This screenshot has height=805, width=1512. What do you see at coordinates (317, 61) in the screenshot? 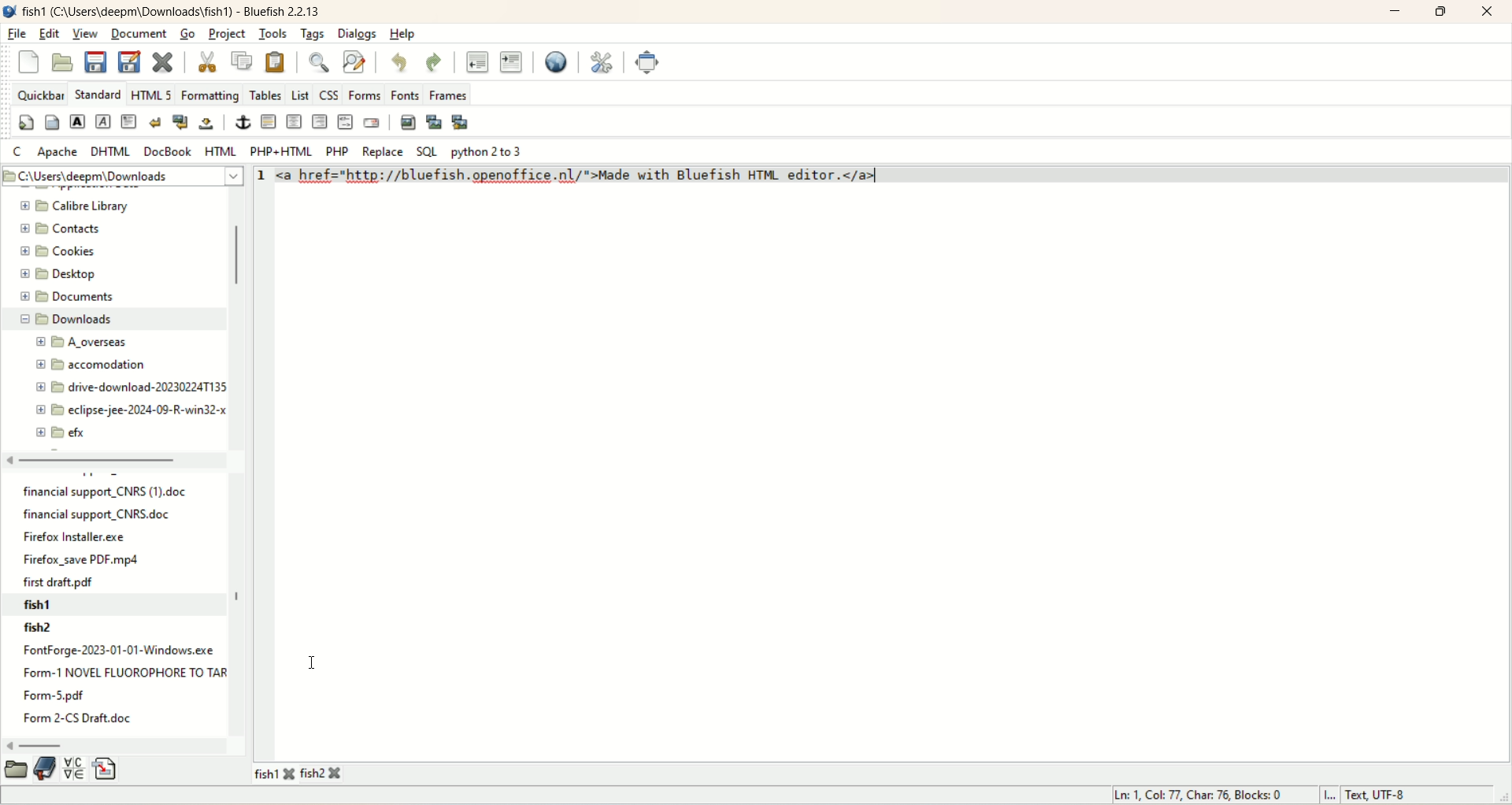
I see `show find bar` at bounding box center [317, 61].